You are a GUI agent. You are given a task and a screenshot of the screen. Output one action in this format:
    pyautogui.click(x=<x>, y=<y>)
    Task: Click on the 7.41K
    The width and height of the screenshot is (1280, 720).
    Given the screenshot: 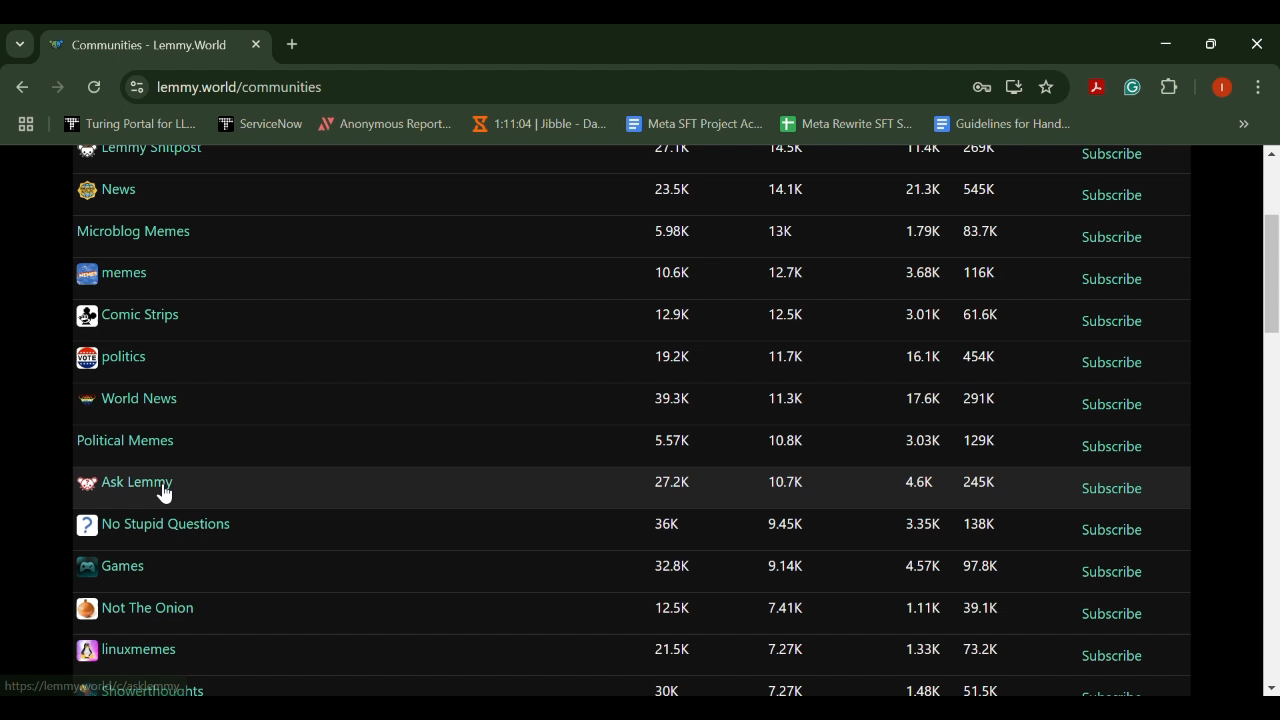 What is the action you would take?
    pyautogui.click(x=783, y=607)
    